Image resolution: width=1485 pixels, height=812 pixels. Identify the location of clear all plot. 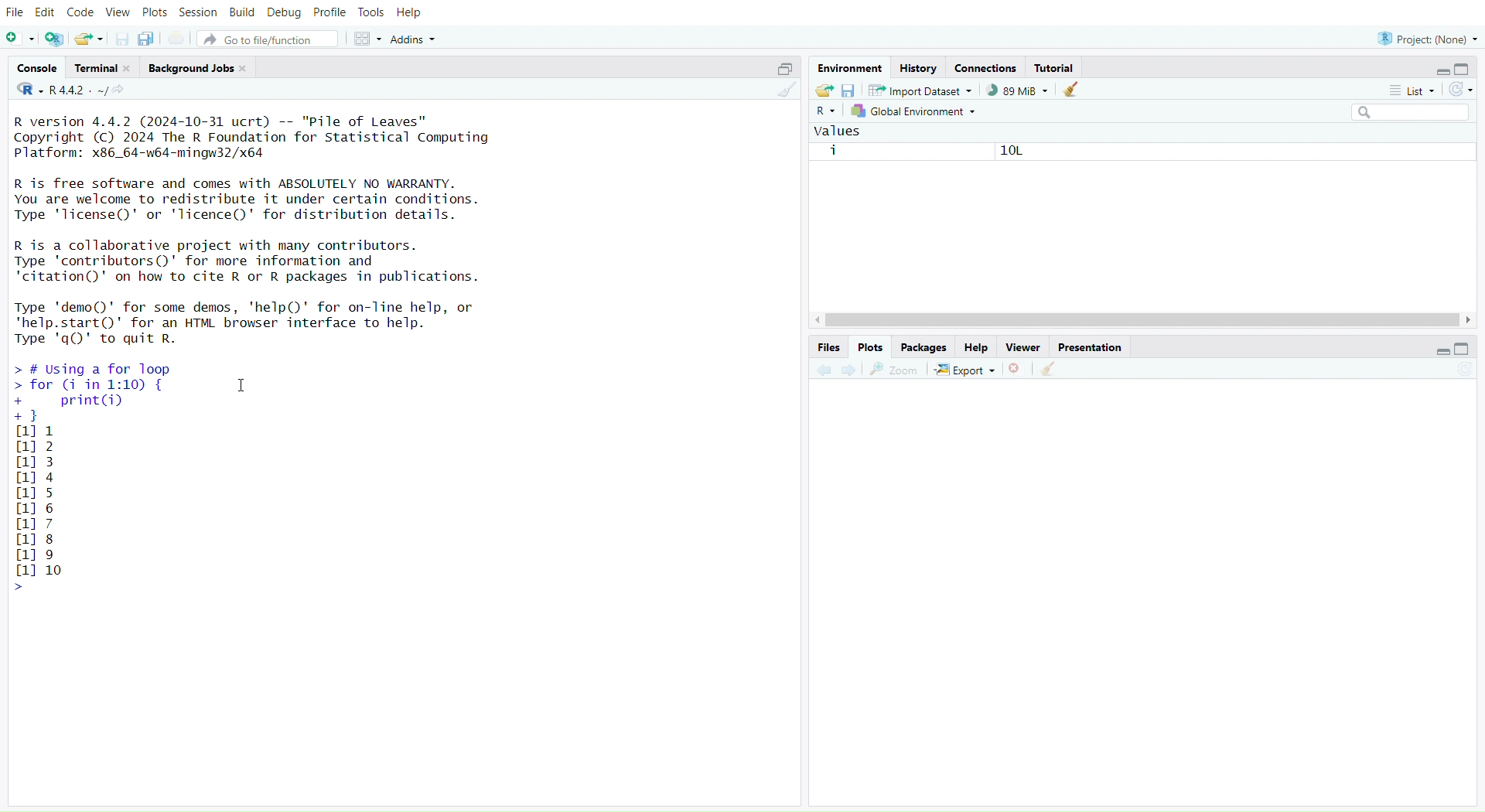
(1050, 370).